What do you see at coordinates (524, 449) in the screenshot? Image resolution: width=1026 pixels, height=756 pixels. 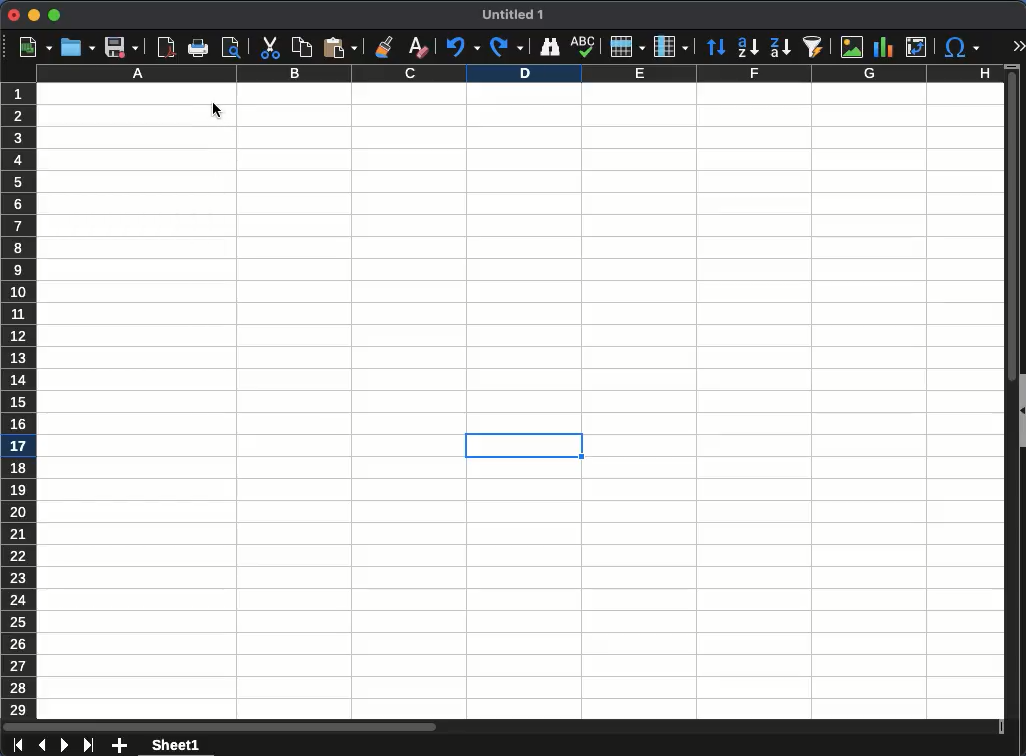 I see `cell selected` at bounding box center [524, 449].